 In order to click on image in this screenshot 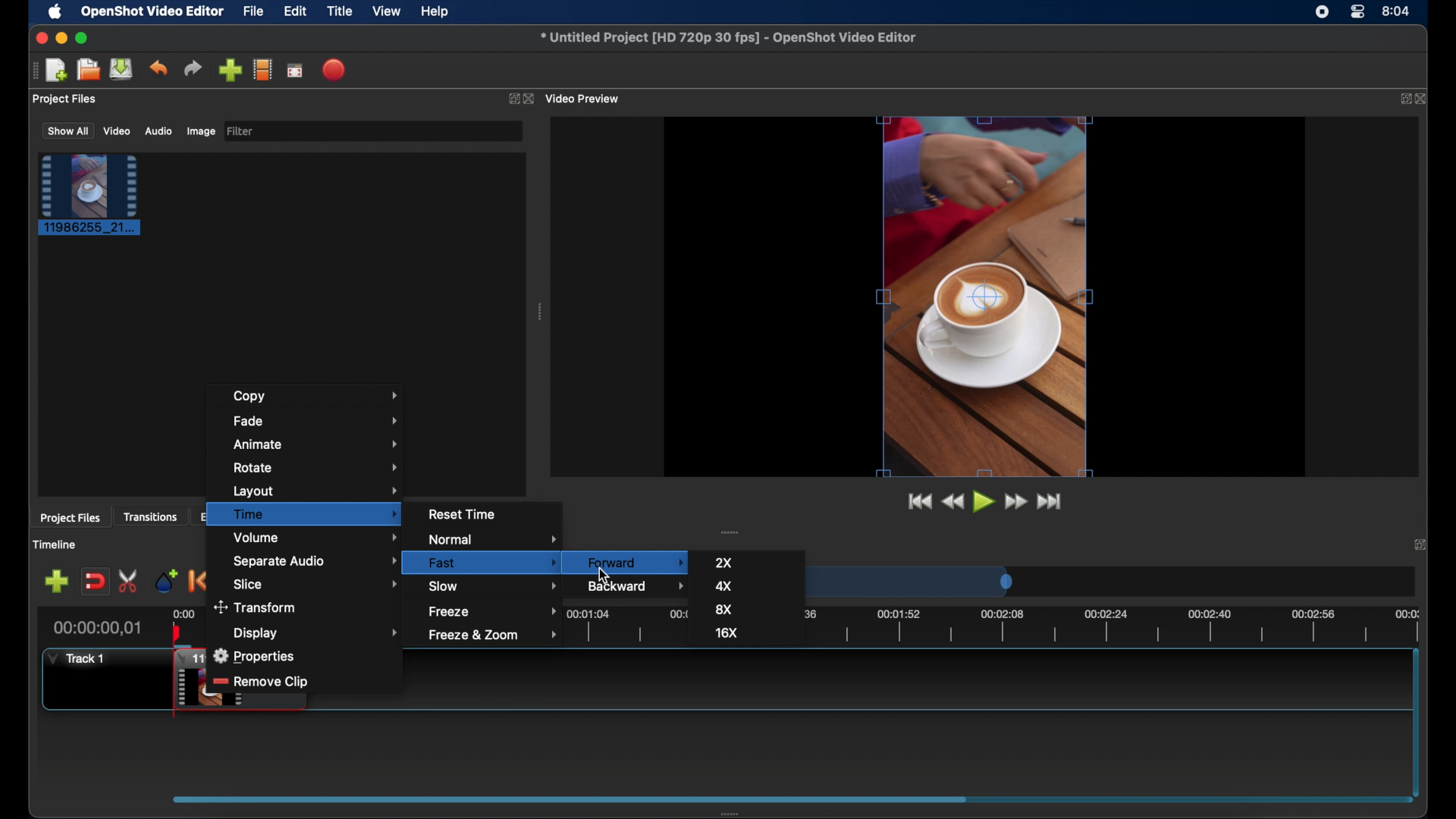, I will do `click(200, 131)`.